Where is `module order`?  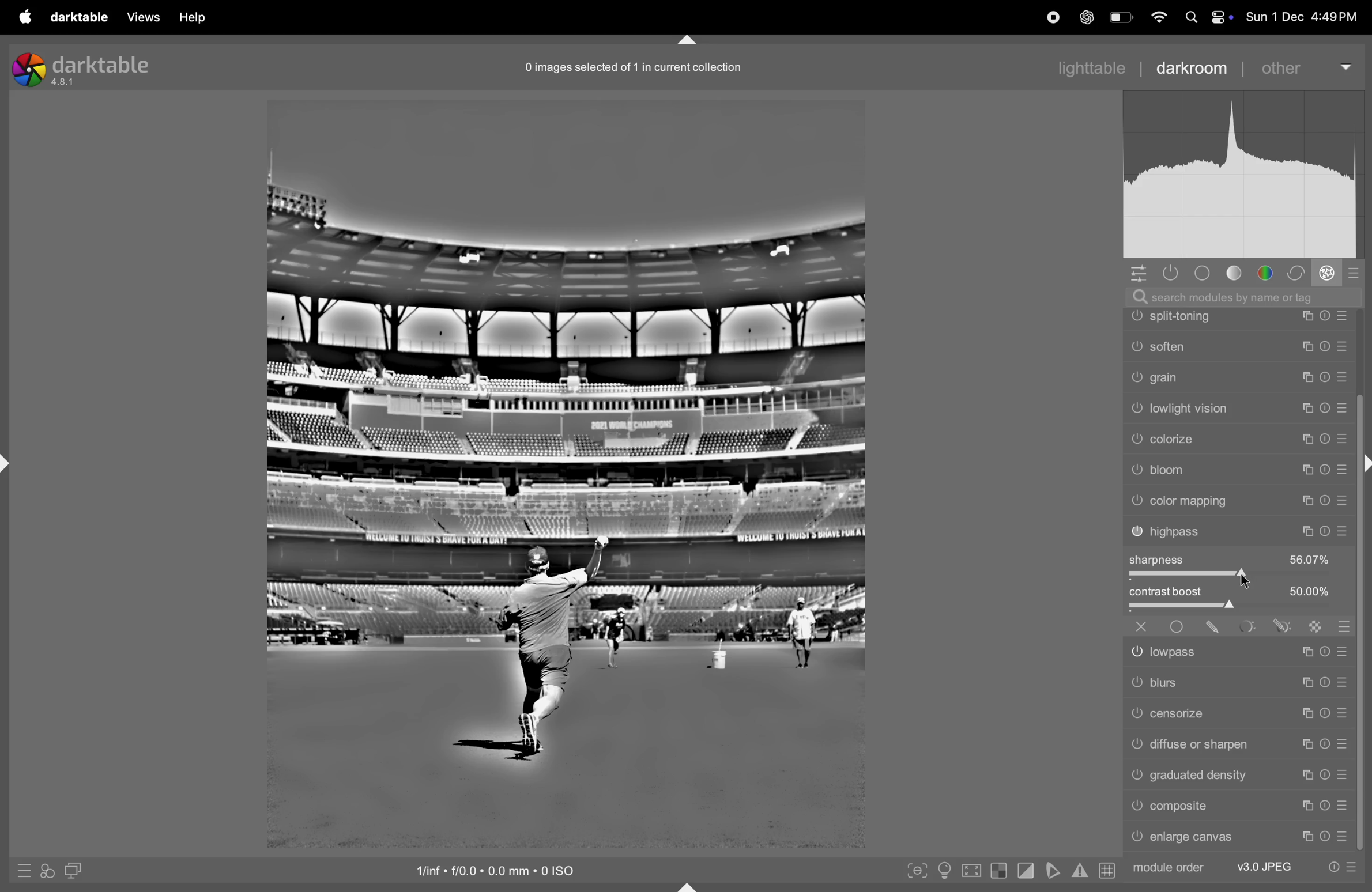
module order is located at coordinates (1169, 868).